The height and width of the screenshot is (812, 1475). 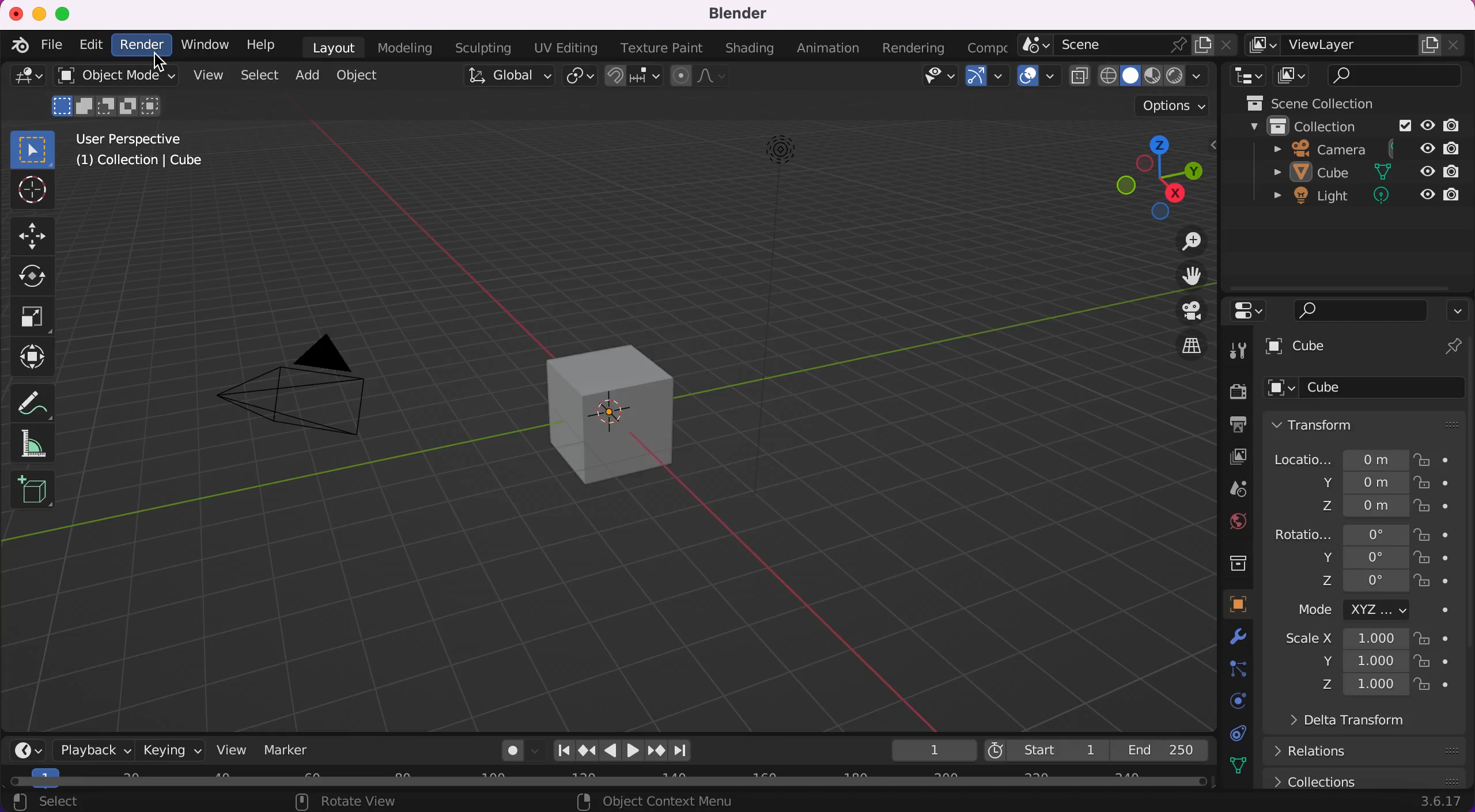 I want to click on cube, so click(x=612, y=407).